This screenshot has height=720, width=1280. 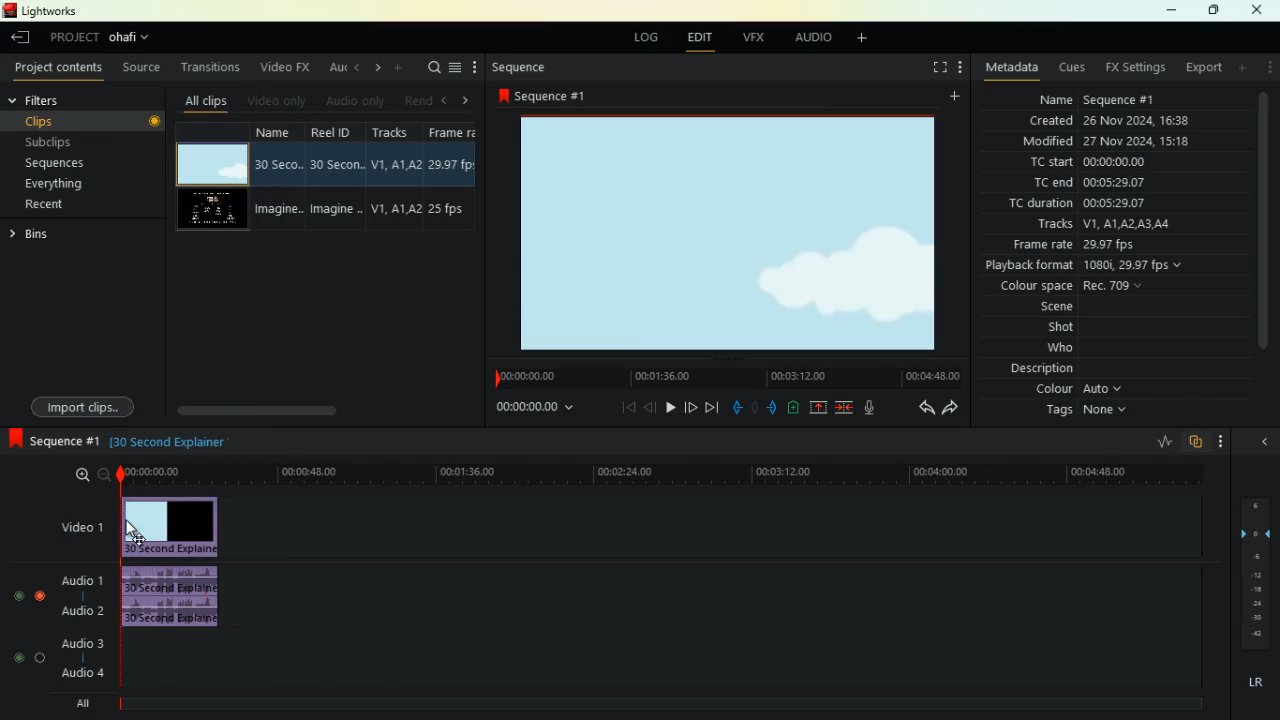 I want to click on scroll, so click(x=1263, y=230).